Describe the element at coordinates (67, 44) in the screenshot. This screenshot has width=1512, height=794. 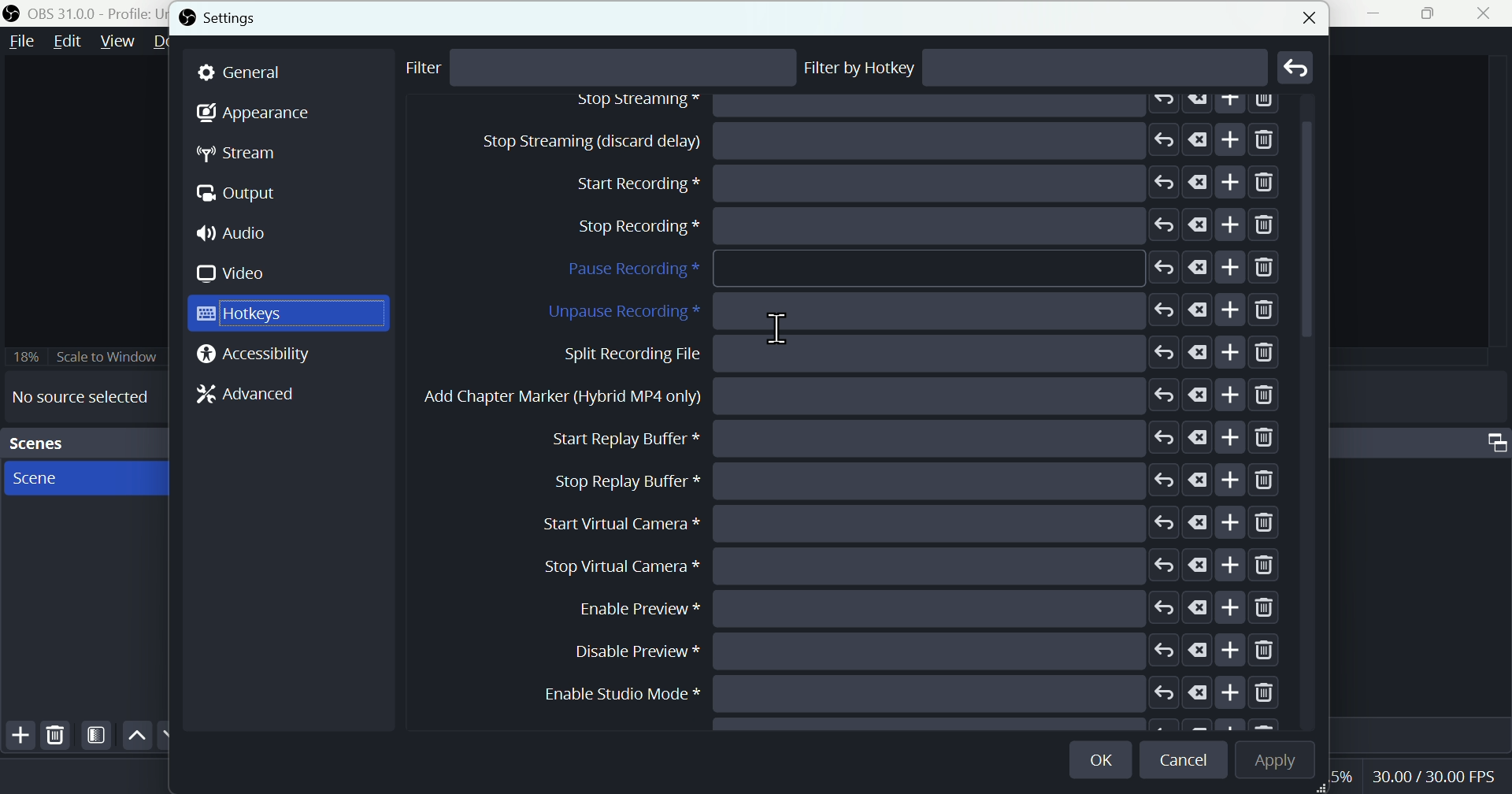
I see `Edit` at that location.